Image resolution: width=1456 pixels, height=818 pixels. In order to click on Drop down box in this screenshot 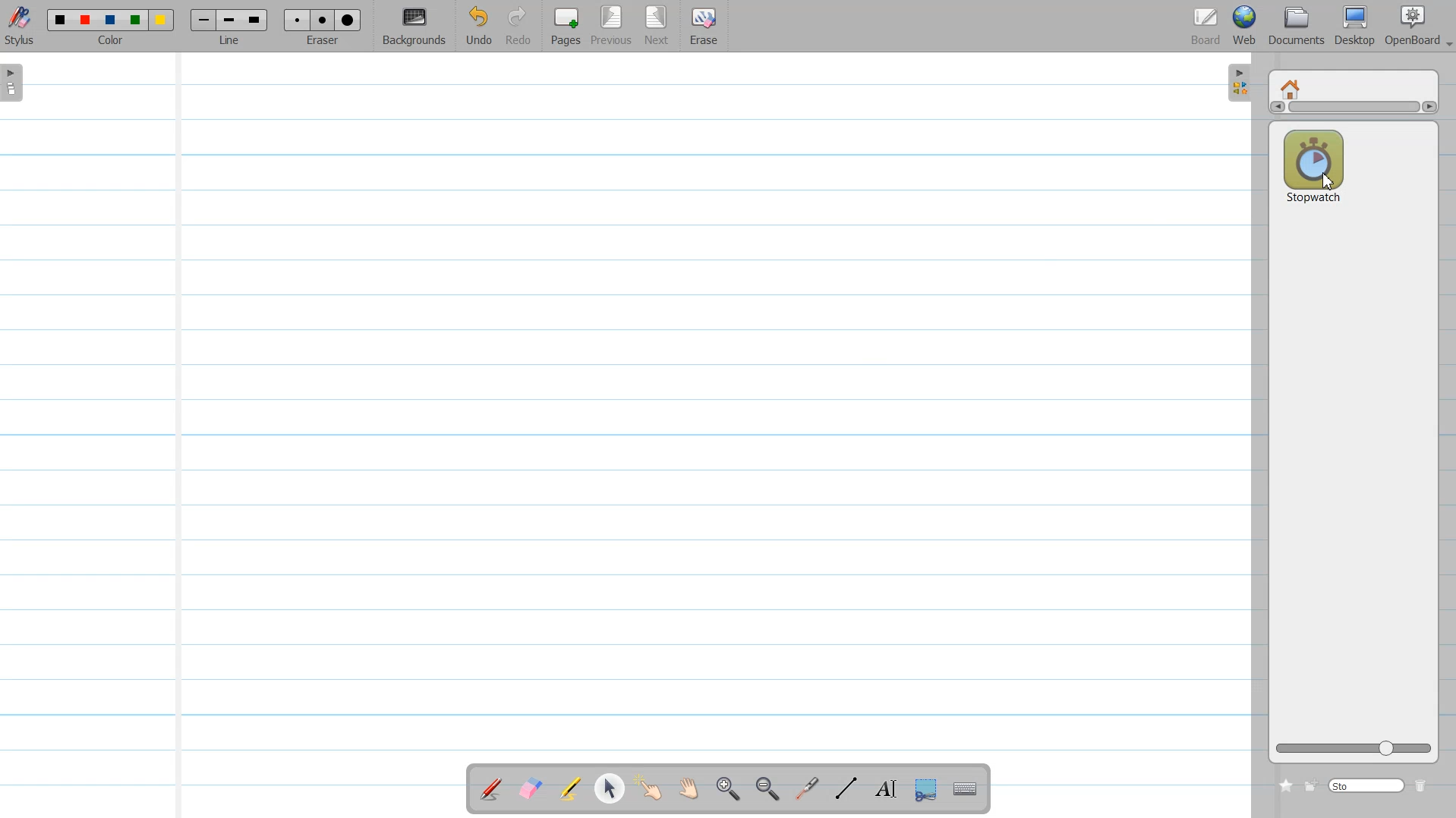, I will do `click(1447, 39)`.